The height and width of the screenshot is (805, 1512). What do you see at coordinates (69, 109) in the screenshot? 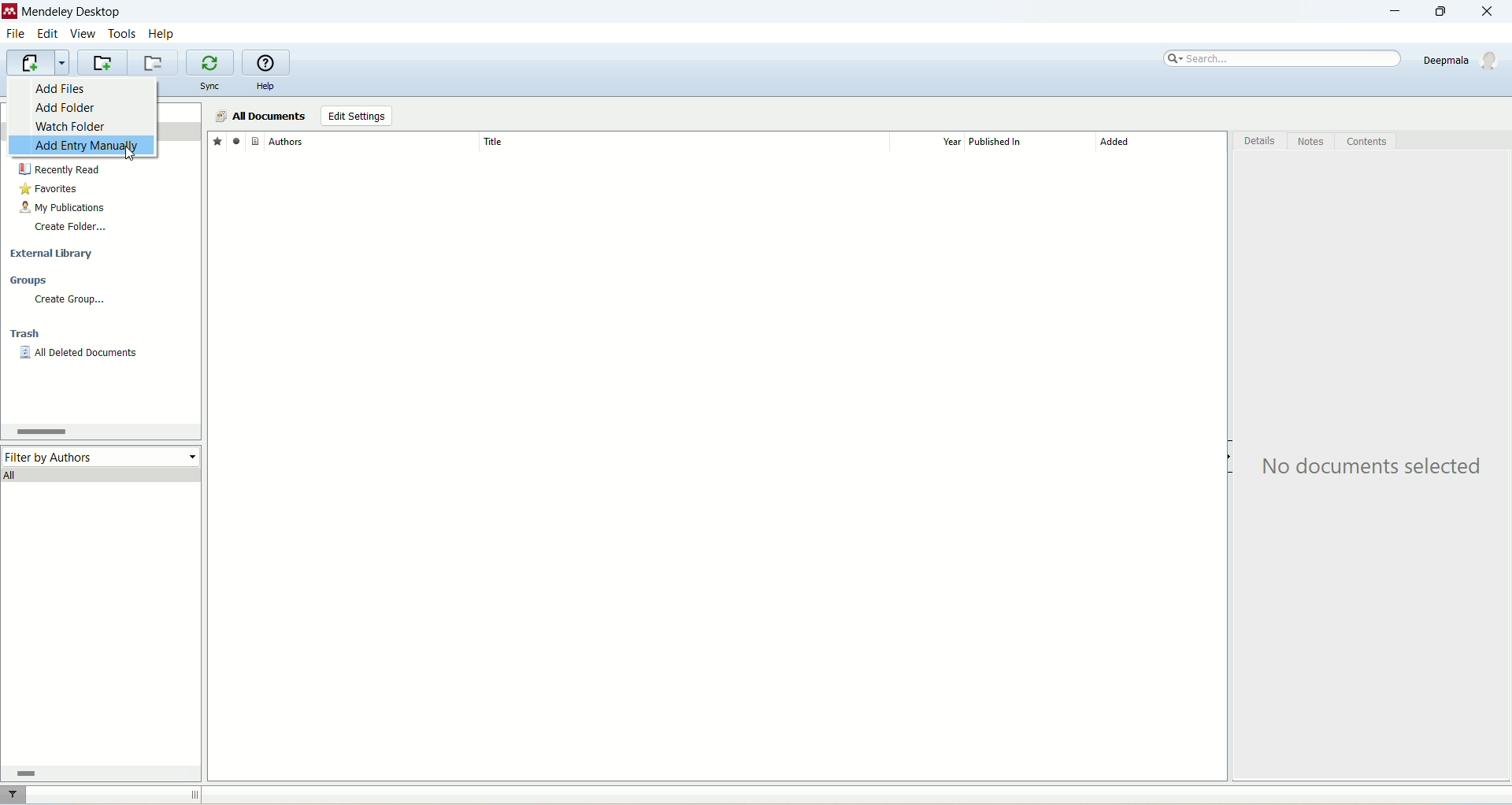
I see `add folder` at bounding box center [69, 109].